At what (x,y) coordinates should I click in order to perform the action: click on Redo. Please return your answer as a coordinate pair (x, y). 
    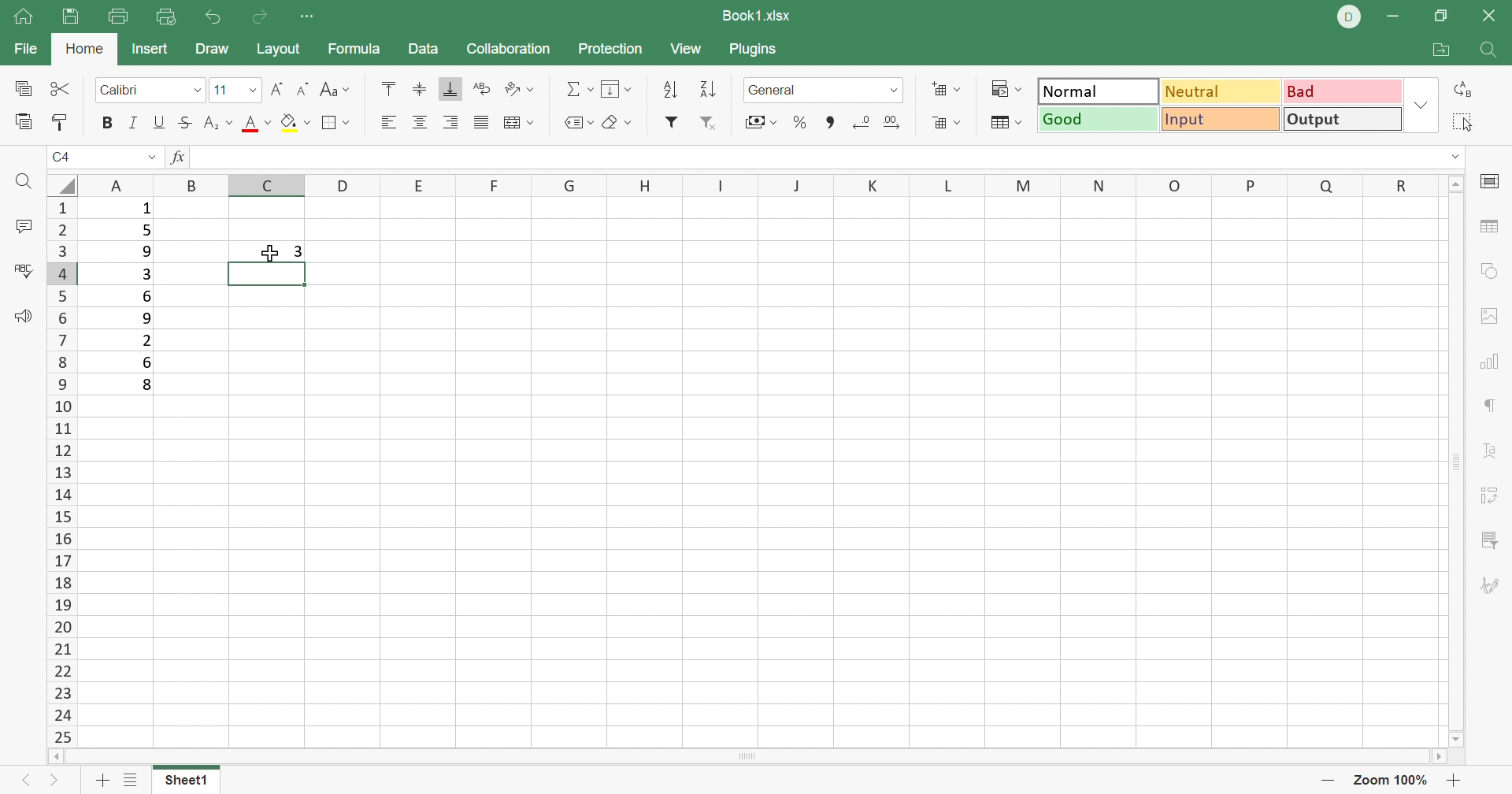
    Looking at the image, I should click on (258, 18).